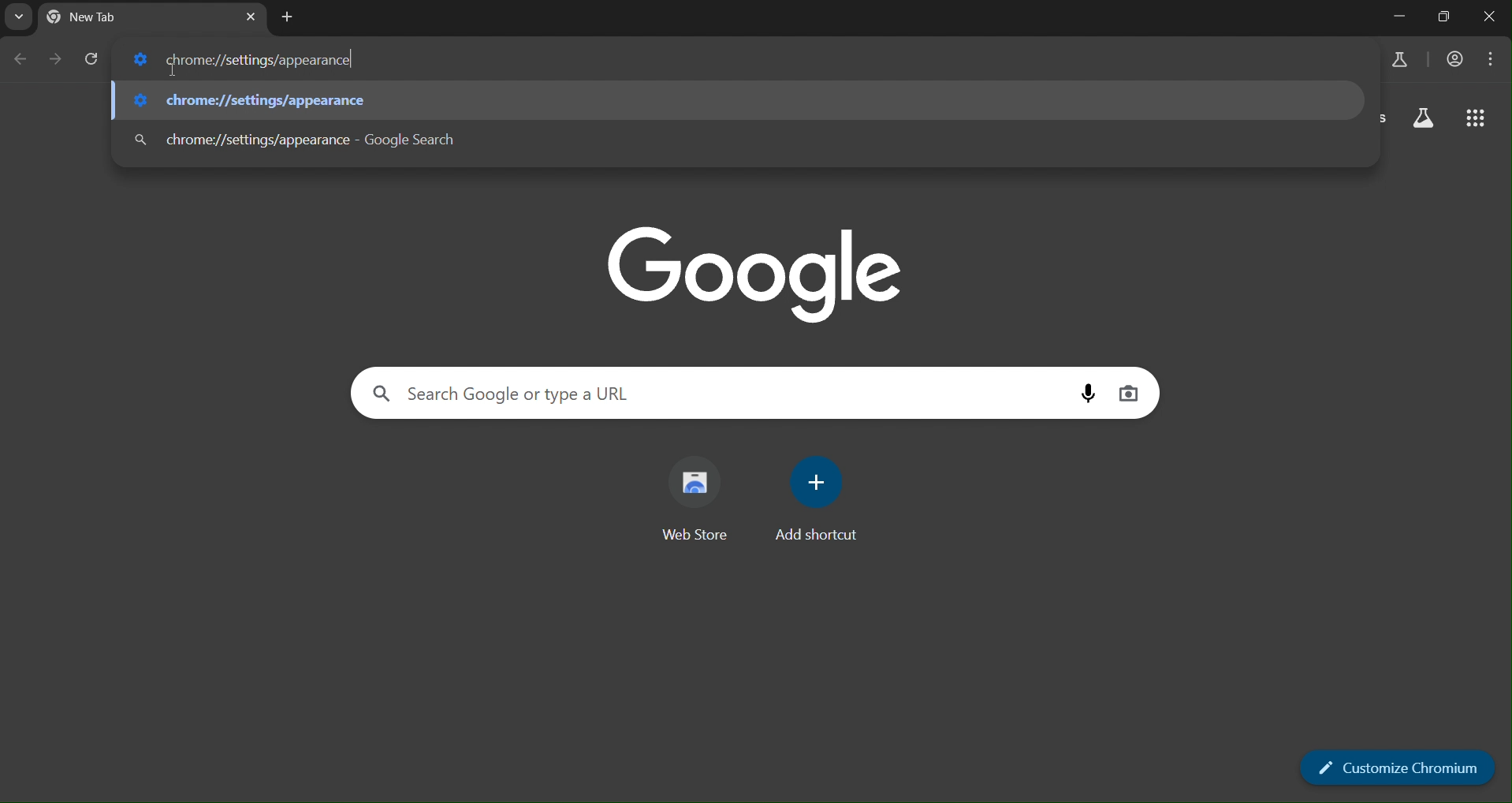  Describe the element at coordinates (19, 62) in the screenshot. I see `go back one page` at that location.